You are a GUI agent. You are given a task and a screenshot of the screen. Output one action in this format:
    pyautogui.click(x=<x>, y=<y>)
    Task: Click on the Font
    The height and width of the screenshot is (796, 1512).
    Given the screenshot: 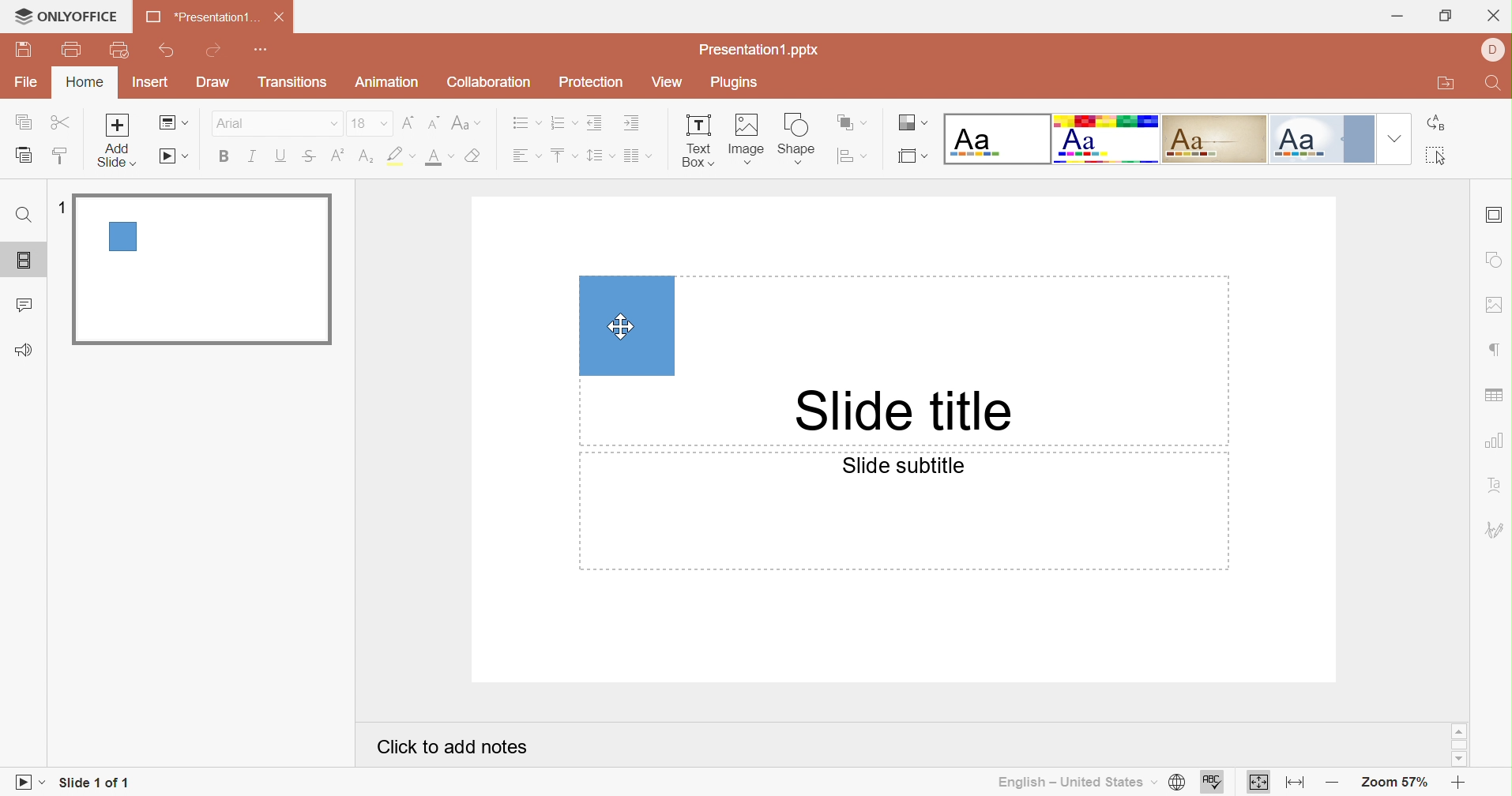 What is the action you would take?
    pyautogui.click(x=276, y=123)
    